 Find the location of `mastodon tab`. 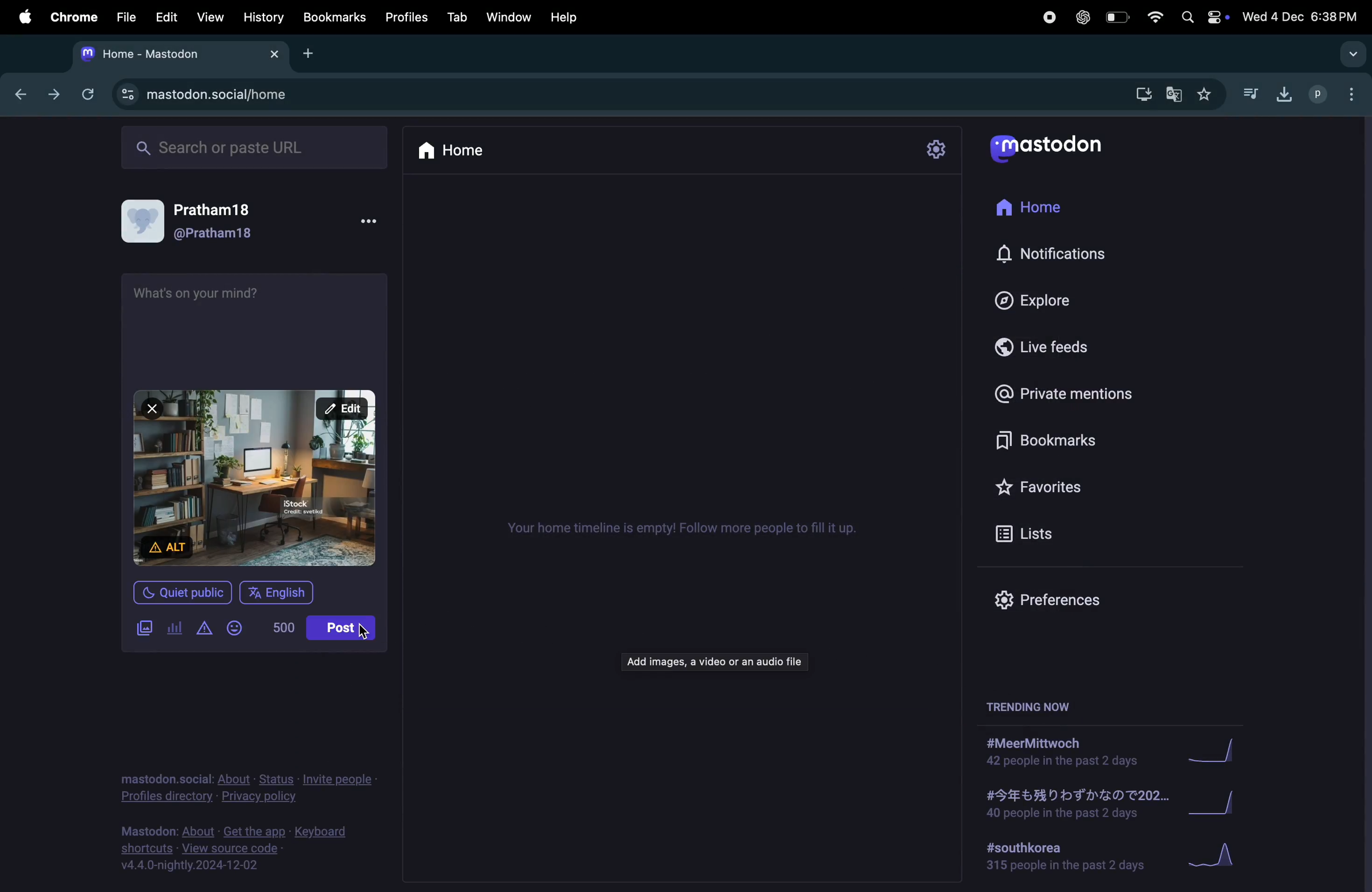

mastodon tab is located at coordinates (174, 55).